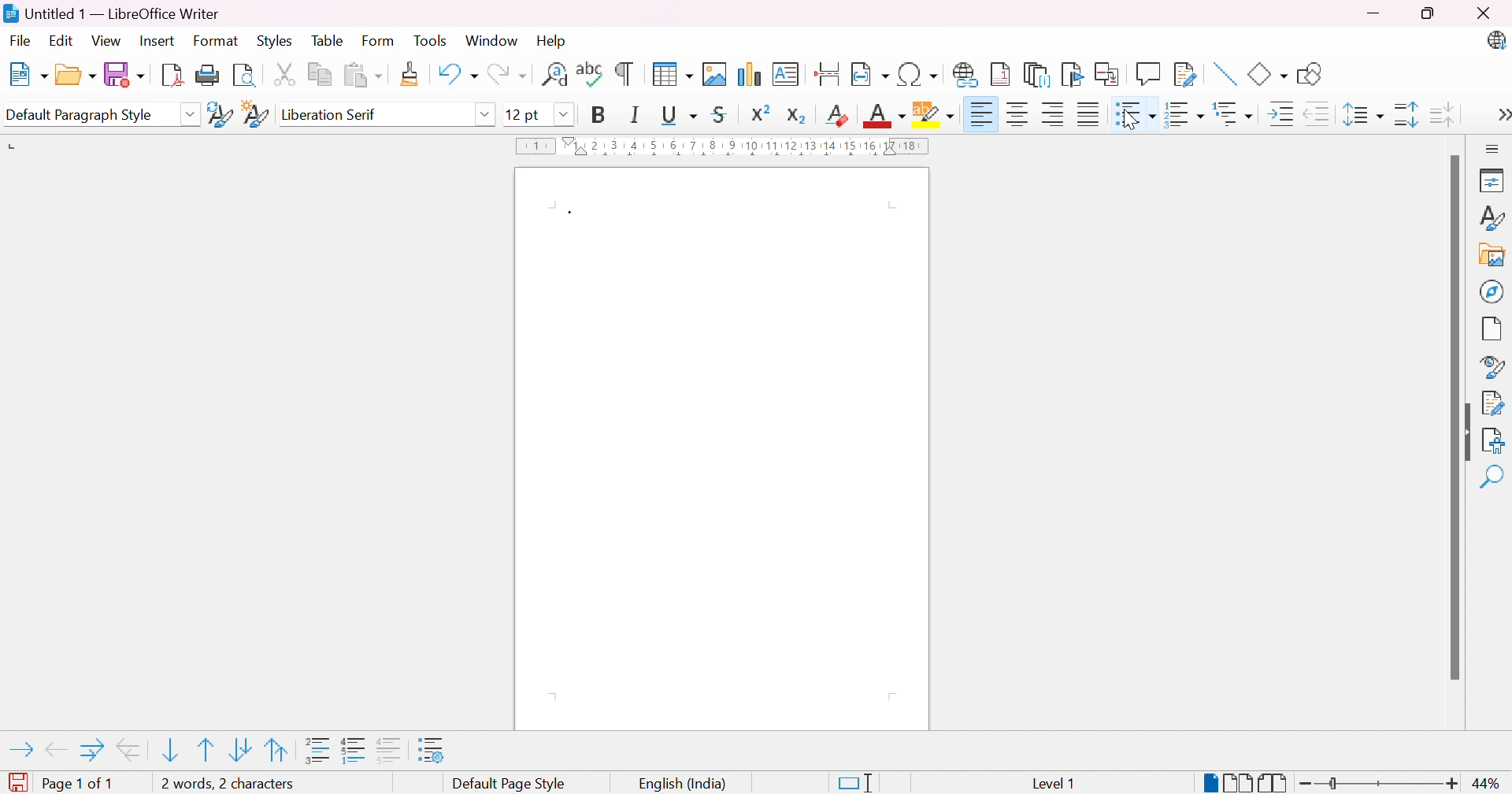 The image size is (1512, 794). Describe the element at coordinates (1444, 116) in the screenshot. I see `Decrease paragraph spacing` at that location.